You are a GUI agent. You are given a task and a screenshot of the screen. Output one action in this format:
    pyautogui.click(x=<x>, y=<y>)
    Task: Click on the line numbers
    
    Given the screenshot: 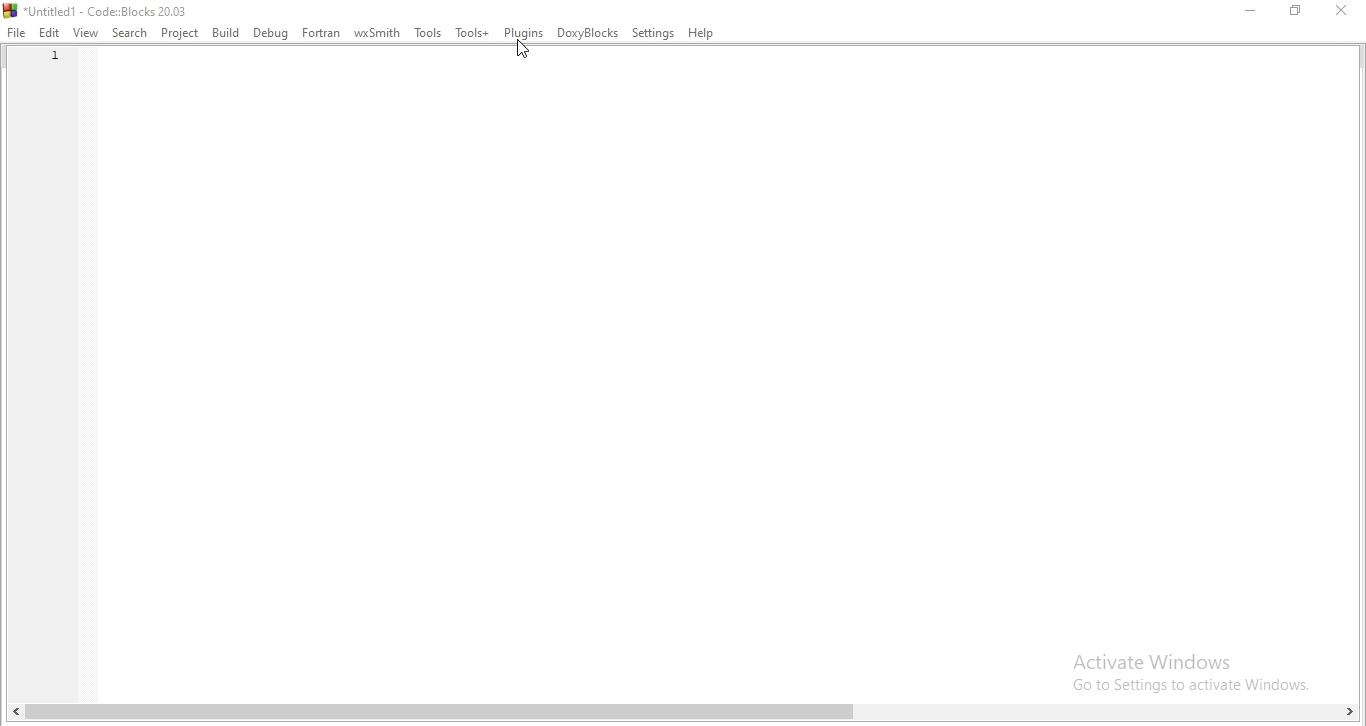 What is the action you would take?
    pyautogui.click(x=51, y=74)
    